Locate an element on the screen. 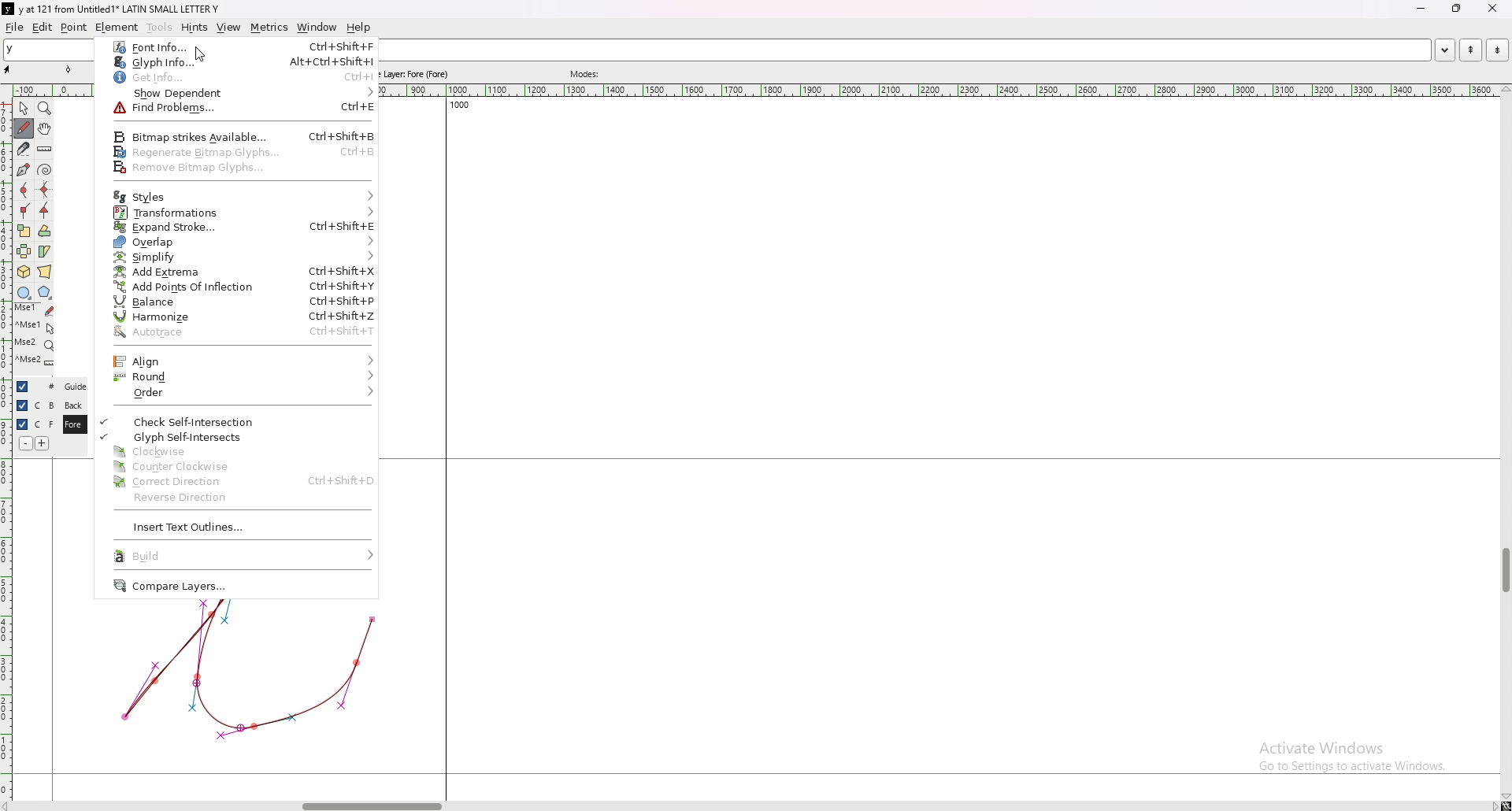  resize is located at coordinates (1455, 9).